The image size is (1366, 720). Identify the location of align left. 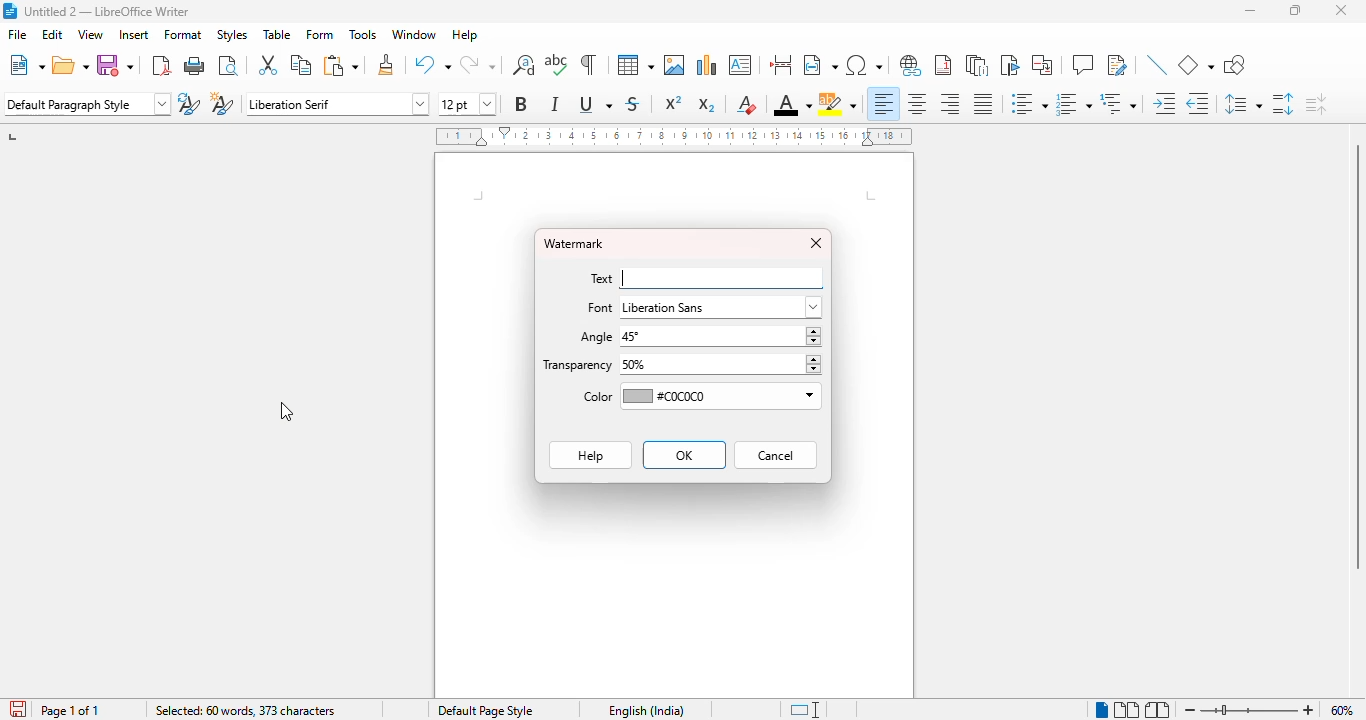
(884, 103).